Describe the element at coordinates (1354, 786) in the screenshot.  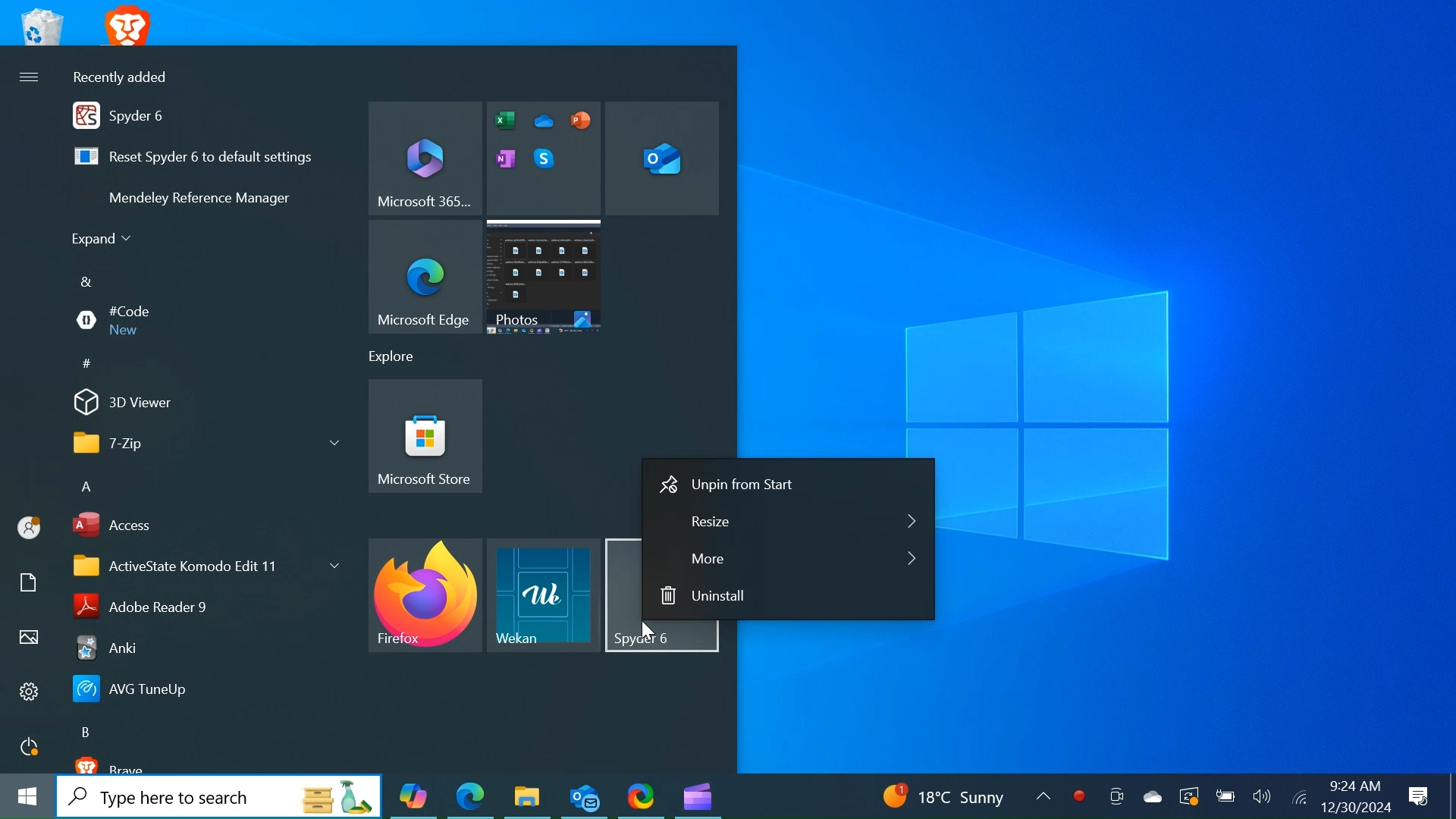
I see `9:24 AM` at that location.